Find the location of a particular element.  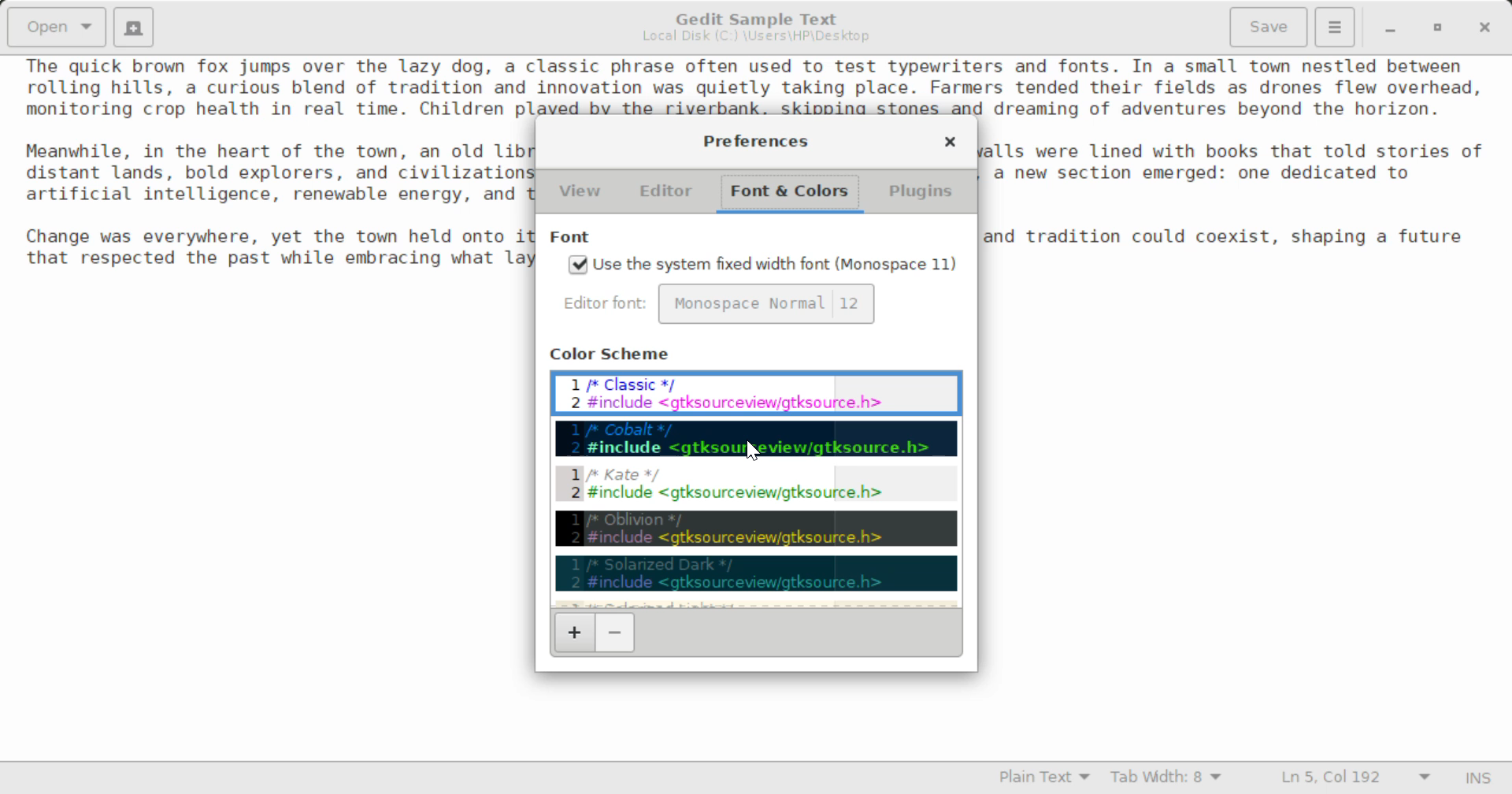

Classic Scheme is located at coordinates (756, 392).